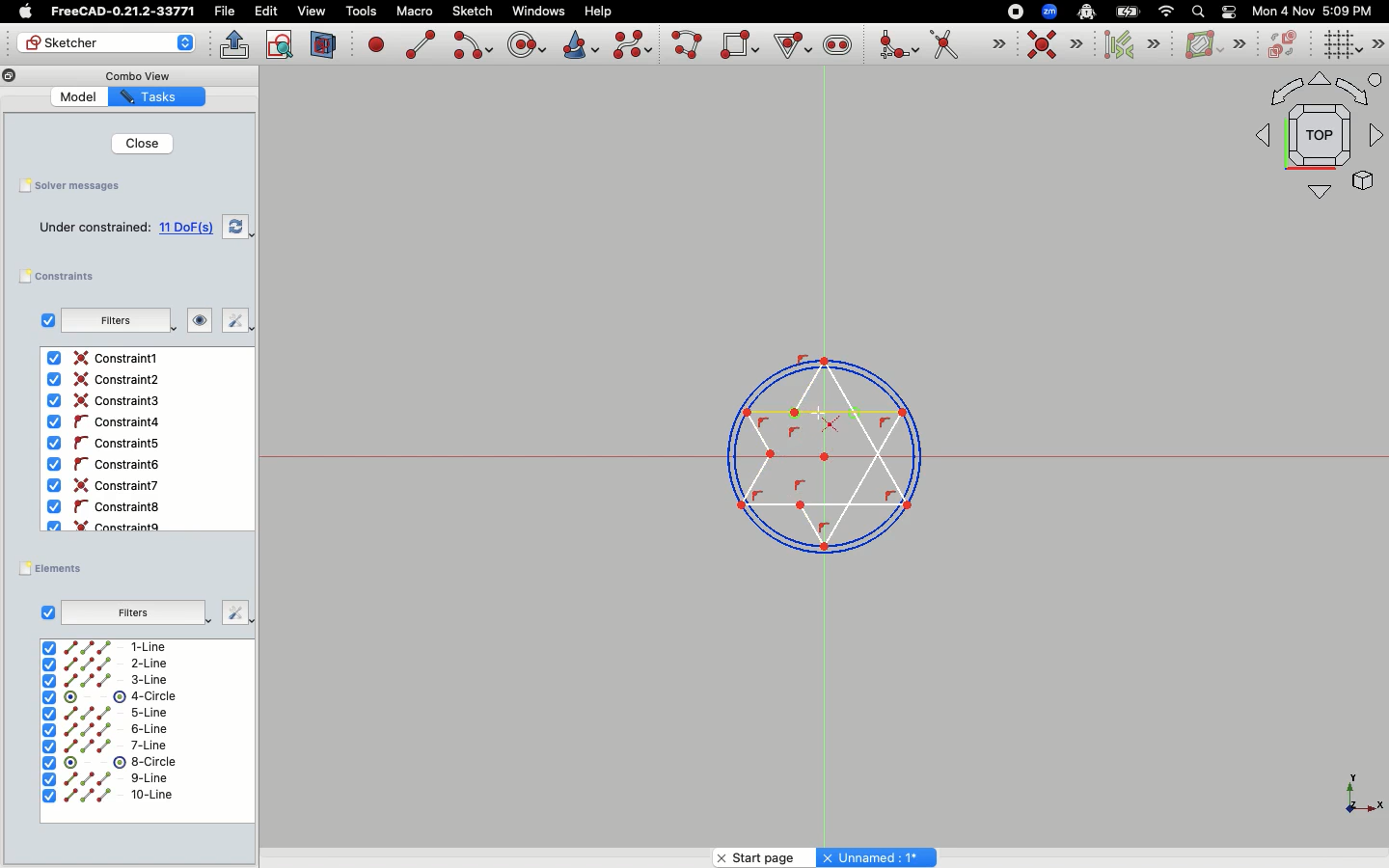 The height and width of the screenshot is (868, 1389). Describe the element at coordinates (281, 45) in the screenshot. I see `View sketch` at that location.